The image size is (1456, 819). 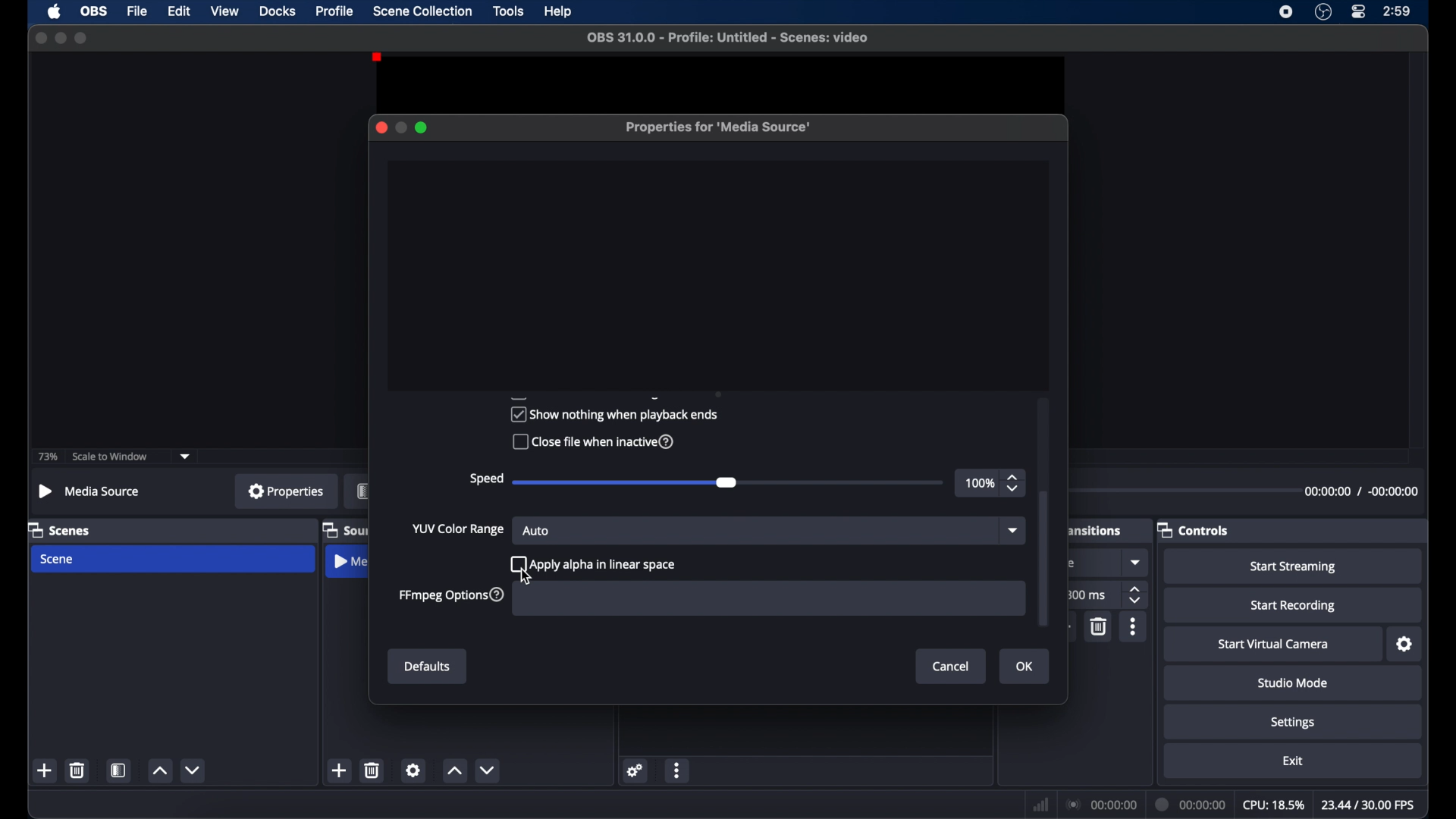 I want to click on exit, so click(x=1294, y=761).